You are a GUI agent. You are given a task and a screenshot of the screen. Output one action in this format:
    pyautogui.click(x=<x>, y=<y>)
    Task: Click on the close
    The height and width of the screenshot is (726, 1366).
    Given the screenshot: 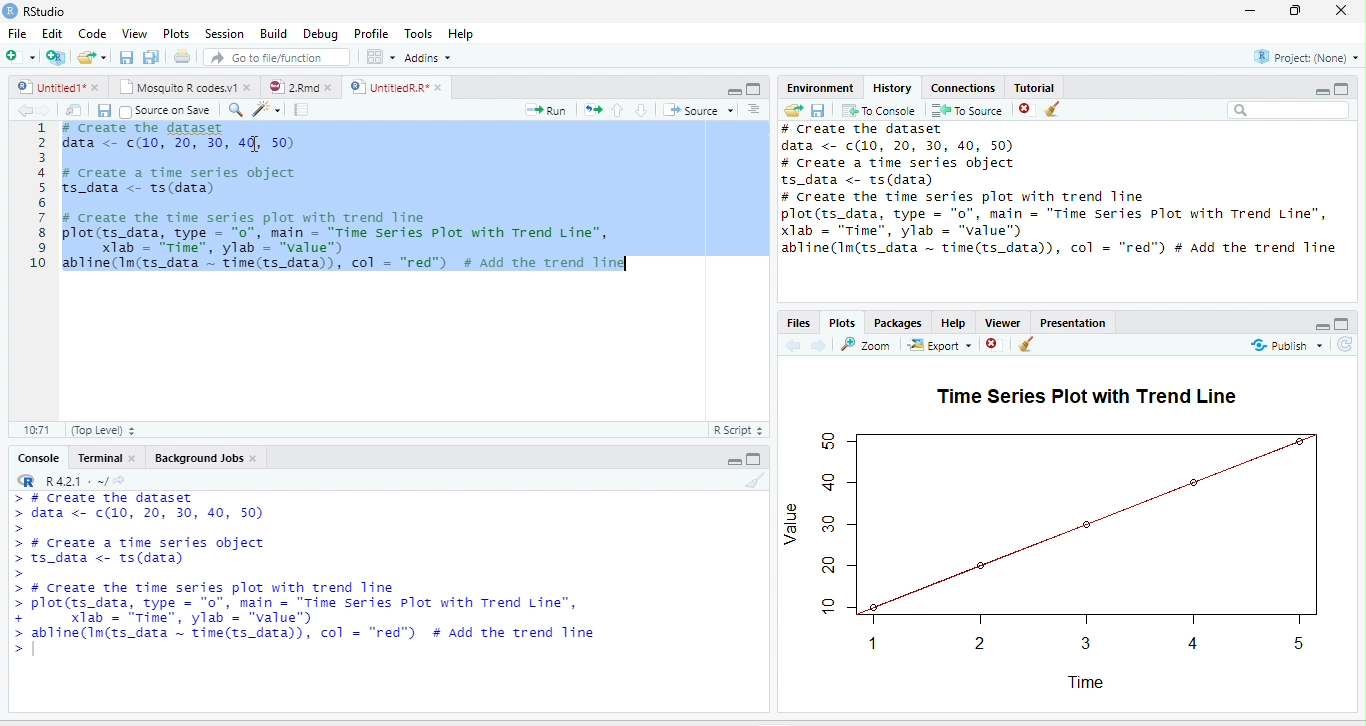 What is the action you would take?
    pyautogui.click(x=254, y=458)
    